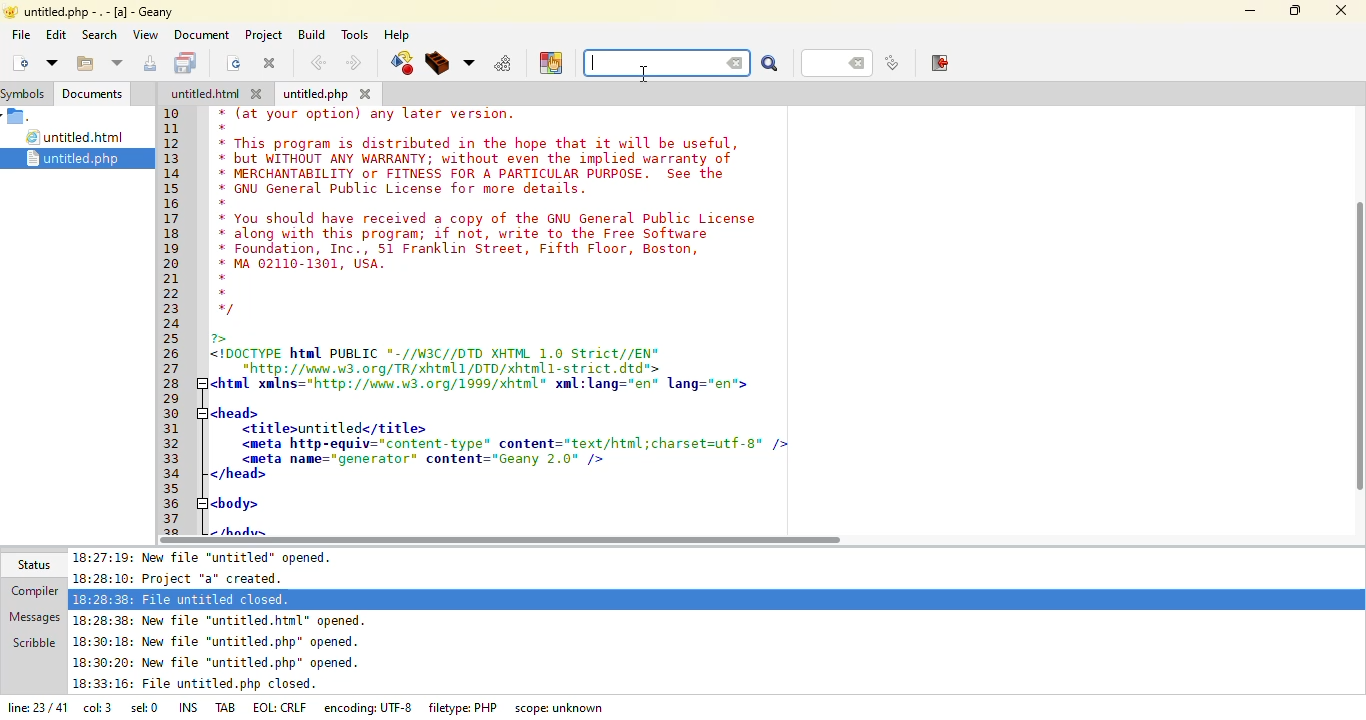 The height and width of the screenshot is (720, 1366). I want to click on  <meta http-equiv="content-type" content="text/html;charset=utf-8" />, so click(513, 443).